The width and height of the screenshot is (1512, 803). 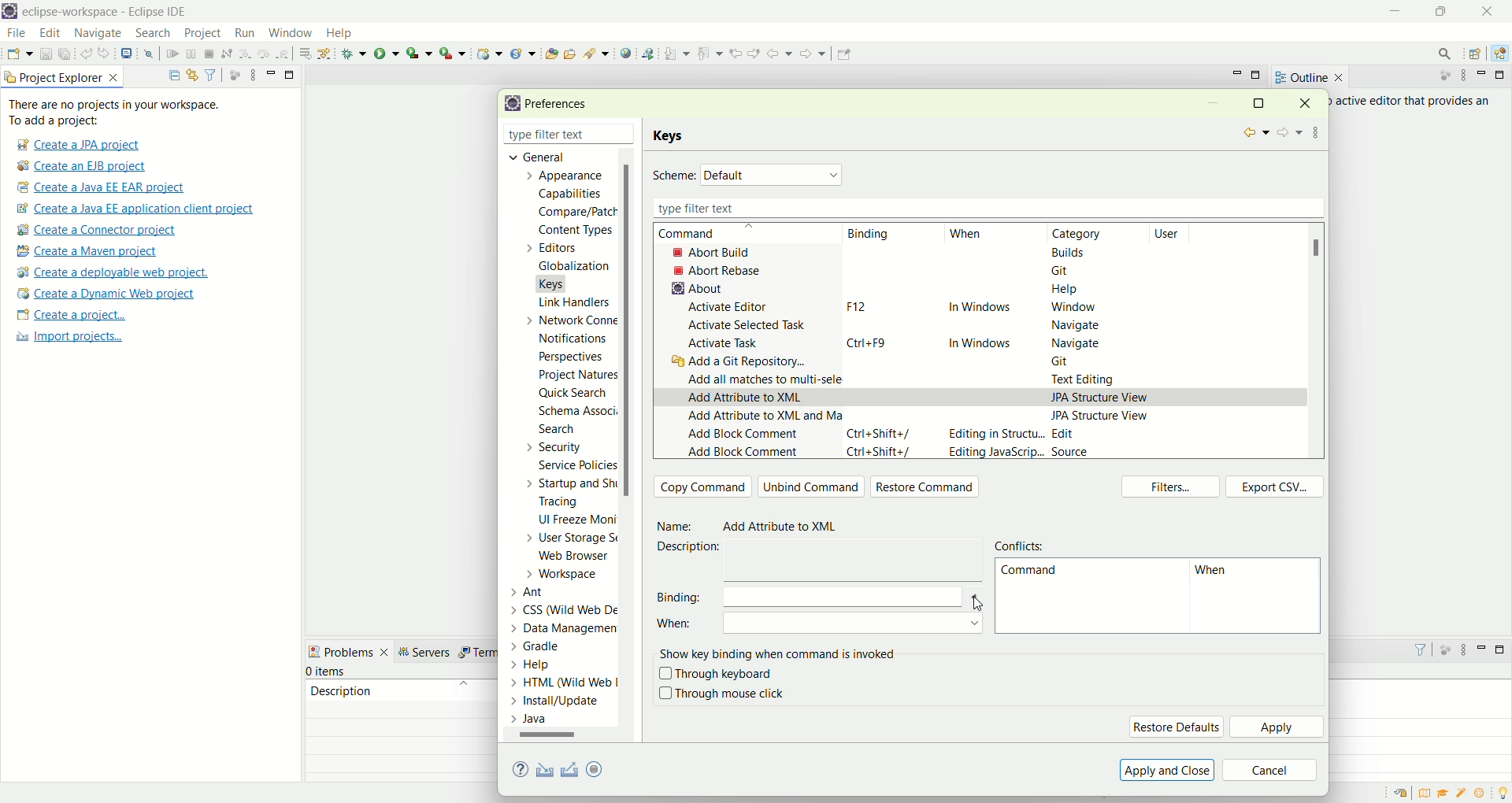 I want to click on perspectives, so click(x=569, y=357).